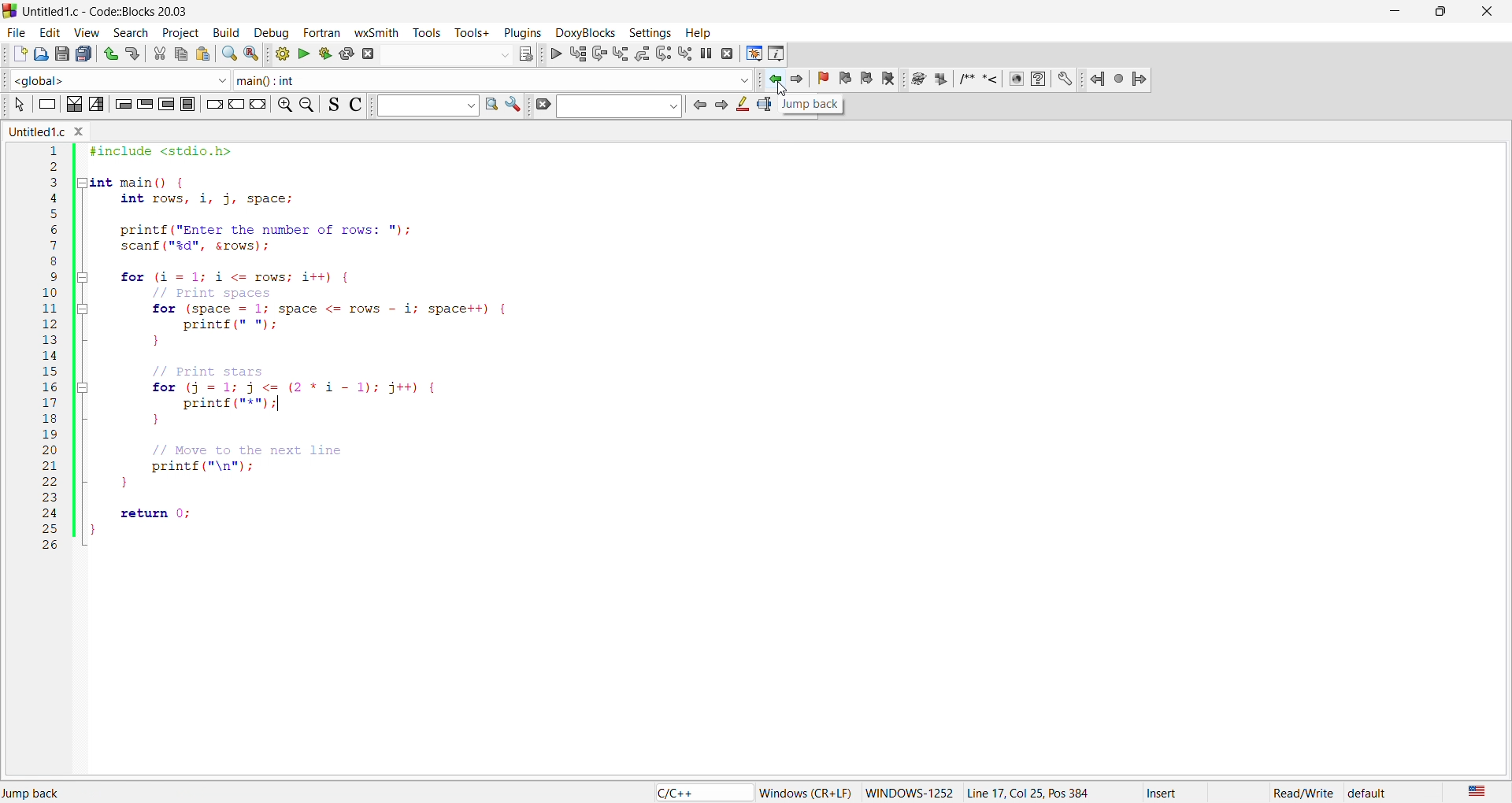 The height and width of the screenshot is (803, 1512). Describe the element at coordinates (378, 31) in the screenshot. I see `wxsmith` at that location.